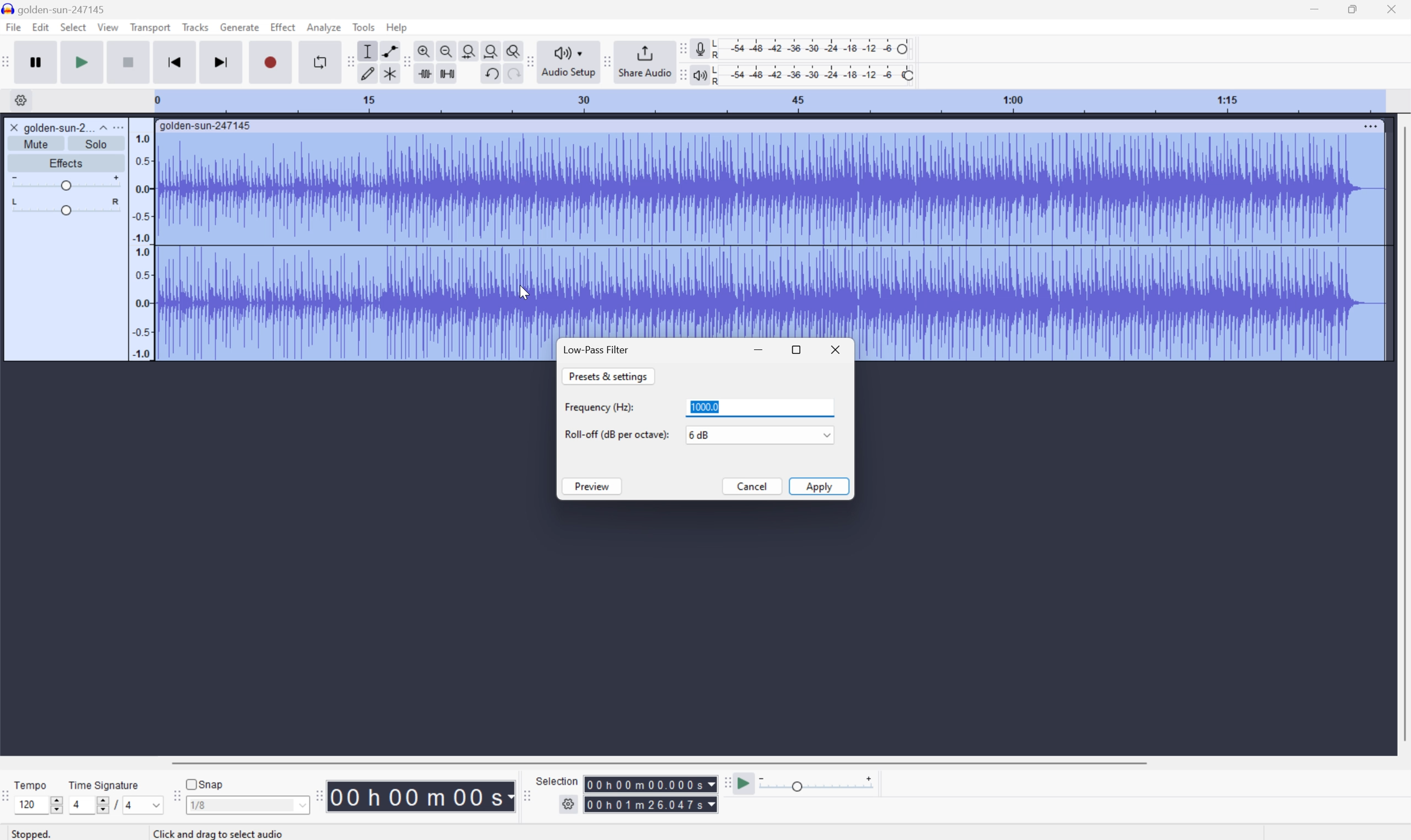 The height and width of the screenshot is (840, 1411). I want to click on goldensun-247145, so click(55, 9).